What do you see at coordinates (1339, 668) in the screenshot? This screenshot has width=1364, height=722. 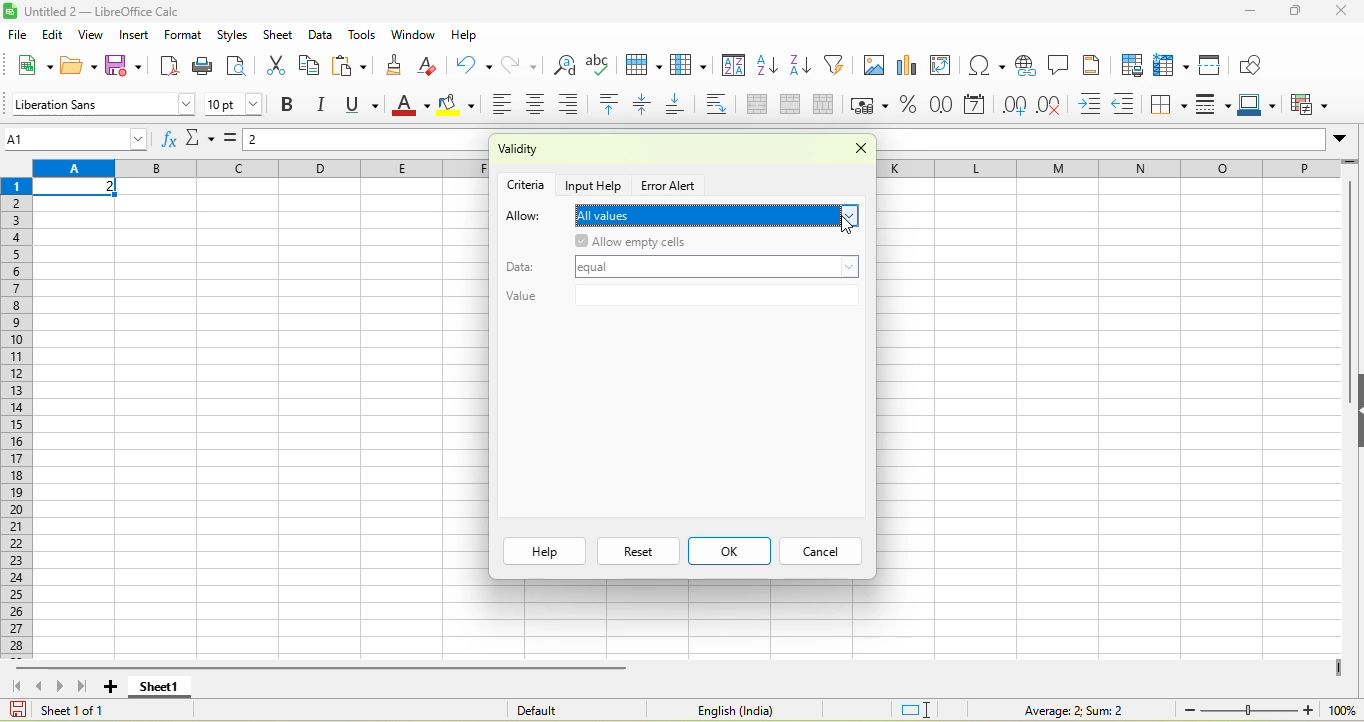 I see `drag to view more columns` at bounding box center [1339, 668].